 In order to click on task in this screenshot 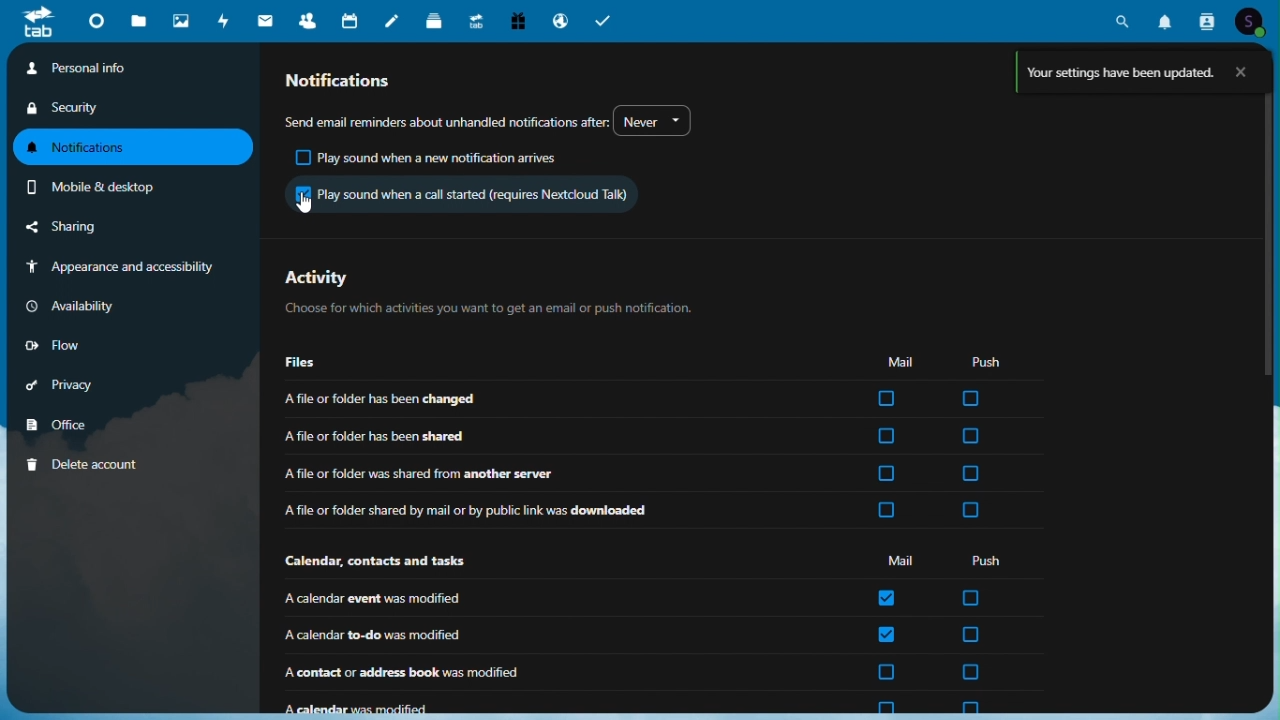, I will do `click(603, 18)`.